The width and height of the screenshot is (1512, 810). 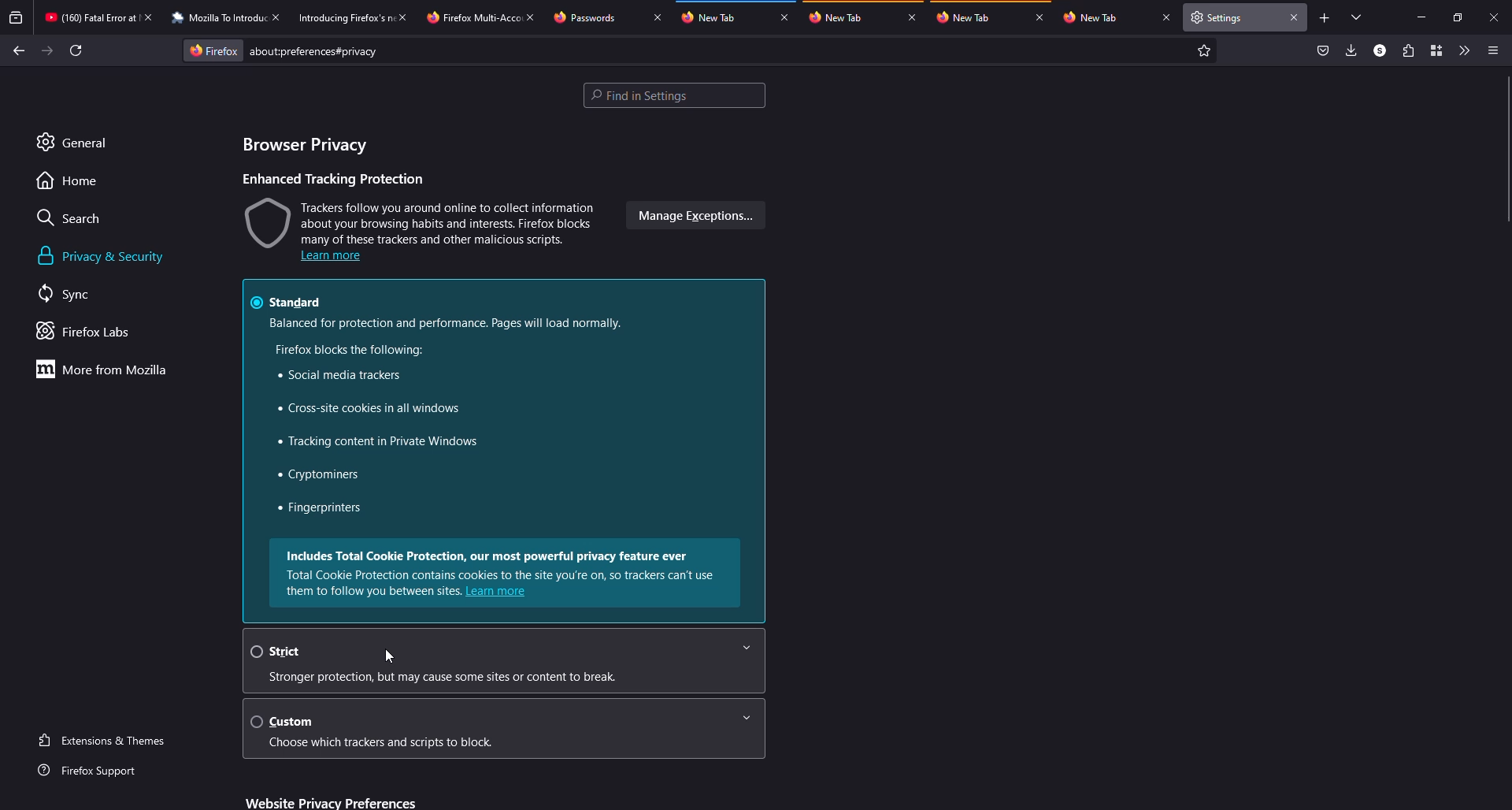 What do you see at coordinates (1436, 50) in the screenshot?
I see `container` at bounding box center [1436, 50].